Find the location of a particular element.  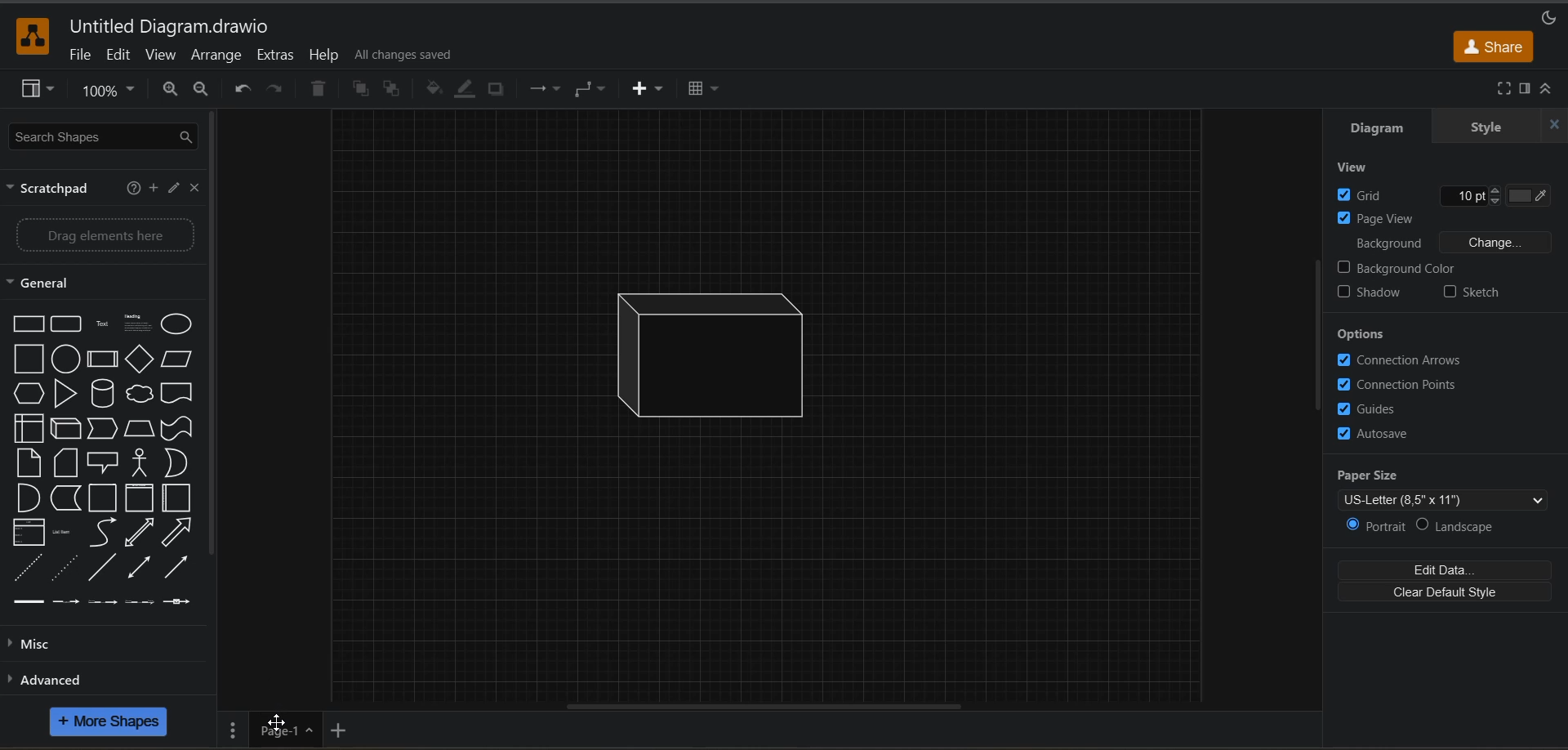

undo is located at coordinates (243, 87).